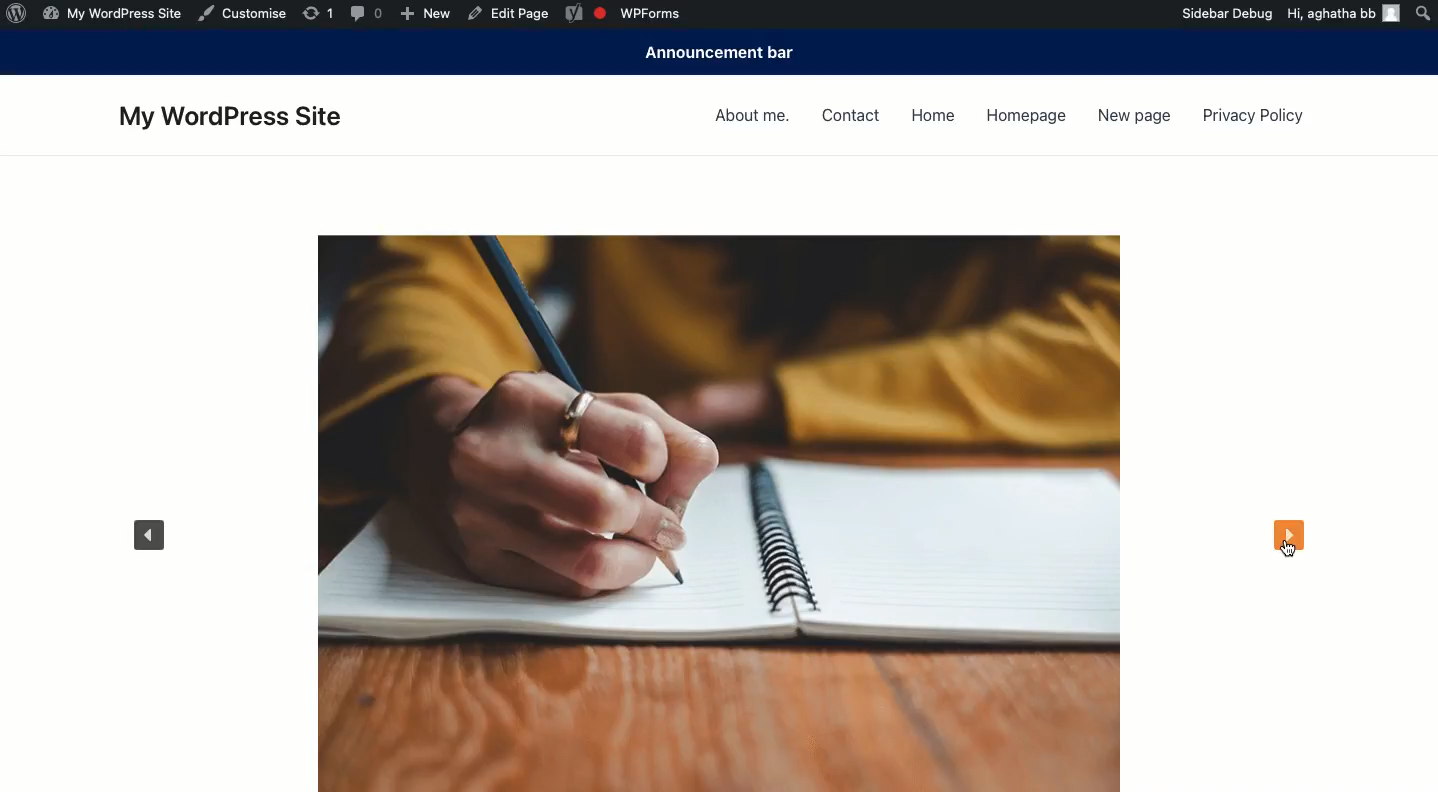 The height and width of the screenshot is (792, 1438). Describe the element at coordinates (1229, 14) in the screenshot. I see `Sidebar debug` at that location.